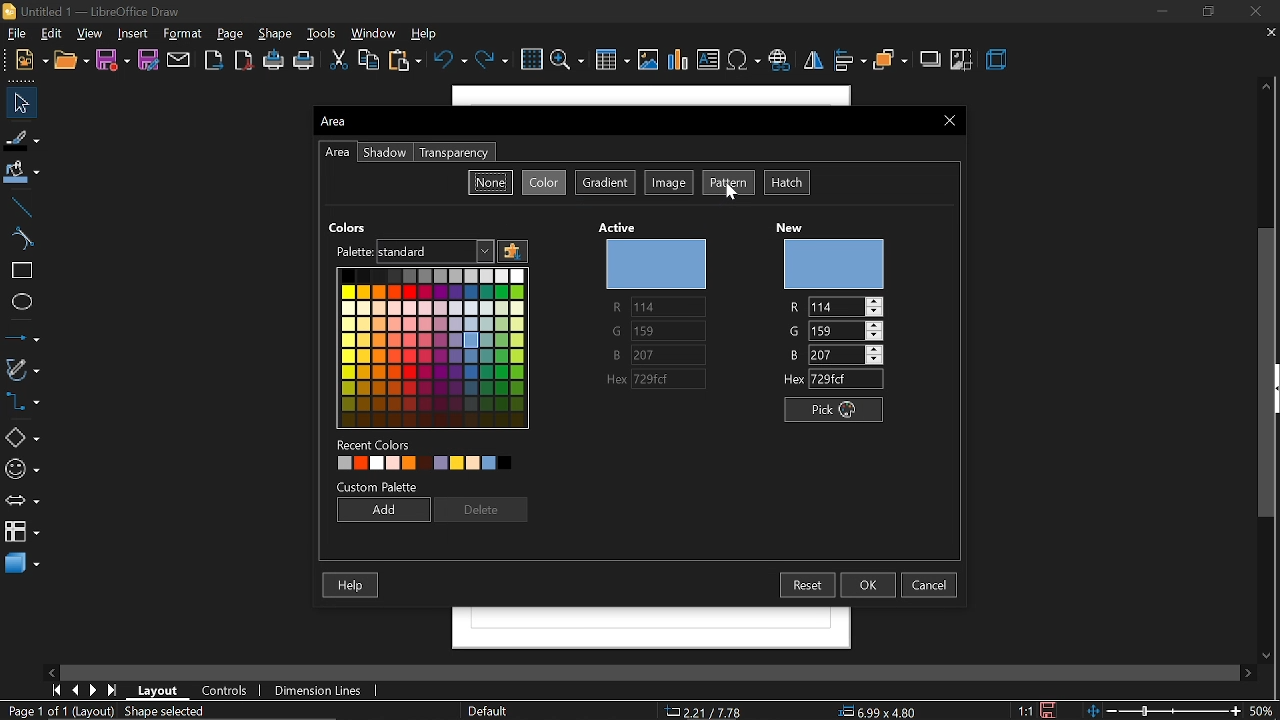  What do you see at coordinates (490, 711) in the screenshot?
I see `page style` at bounding box center [490, 711].